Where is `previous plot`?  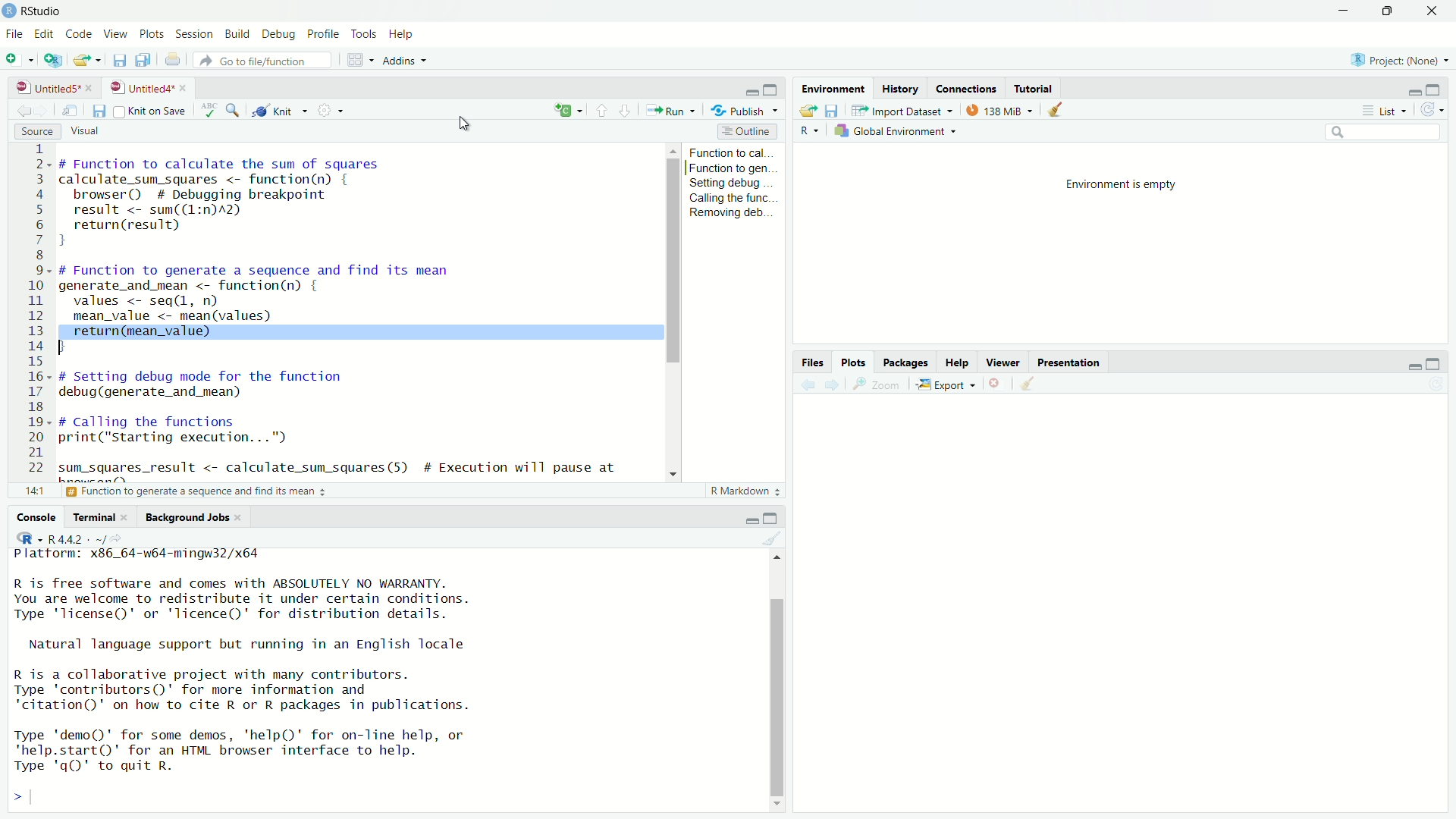
previous plot is located at coordinates (805, 384).